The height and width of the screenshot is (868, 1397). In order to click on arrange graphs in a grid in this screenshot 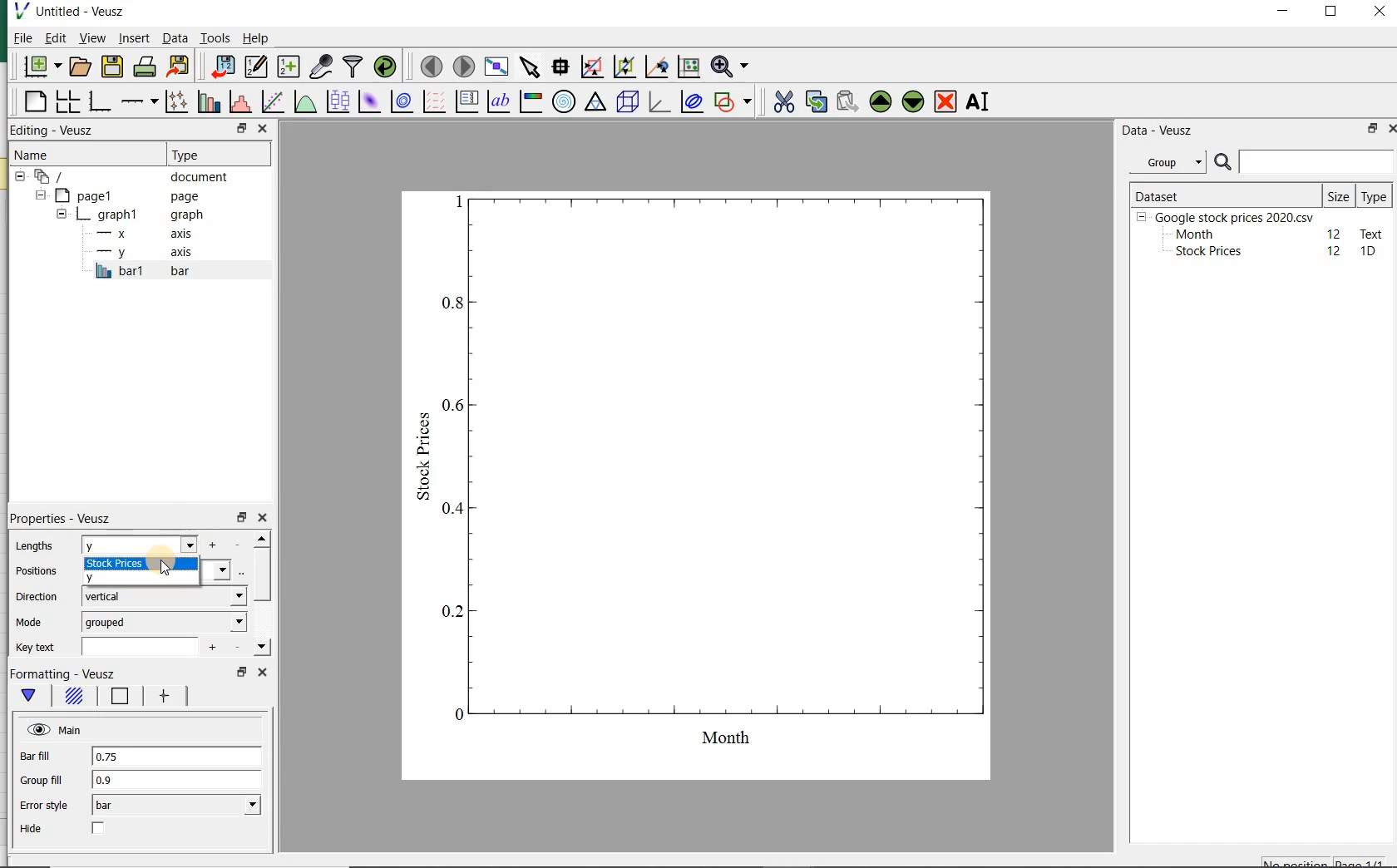, I will do `click(66, 102)`.